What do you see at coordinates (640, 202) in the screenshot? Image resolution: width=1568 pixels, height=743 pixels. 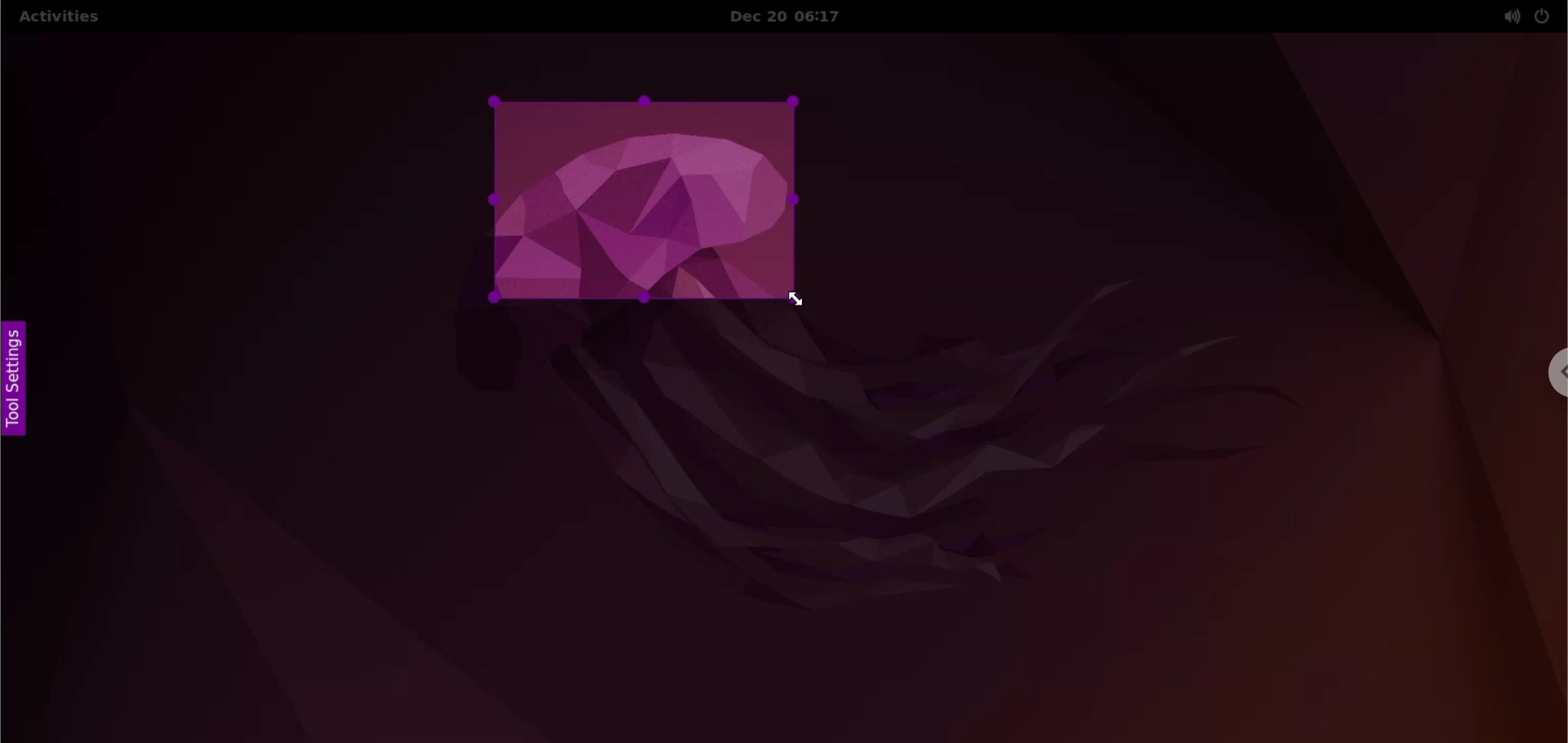 I see `select capture area` at bounding box center [640, 202].